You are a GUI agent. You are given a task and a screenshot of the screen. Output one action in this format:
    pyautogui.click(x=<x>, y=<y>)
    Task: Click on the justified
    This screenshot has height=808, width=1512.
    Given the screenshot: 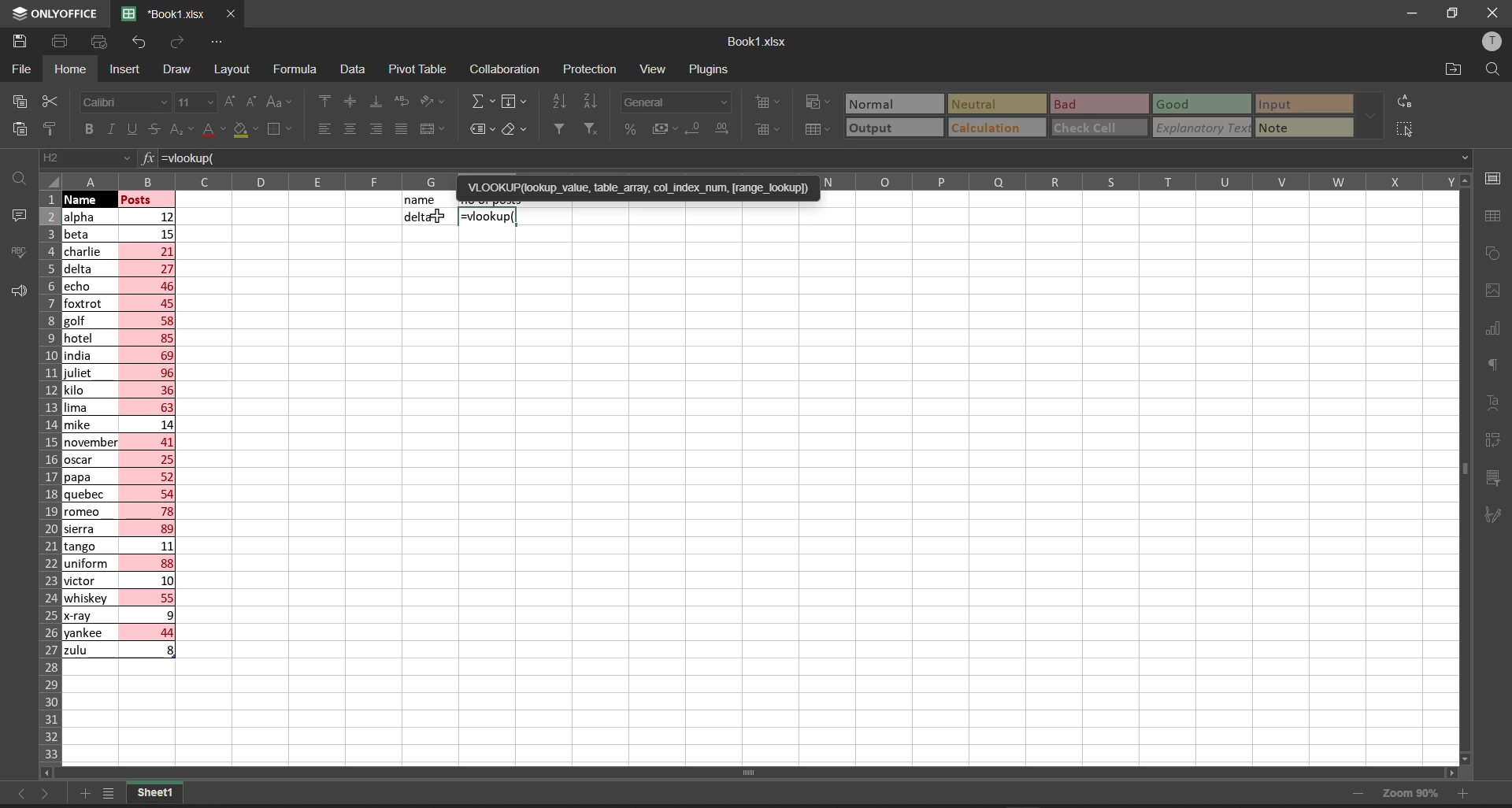 What is the action you would take?
    pyautogui.click(x=400, y=129)
    